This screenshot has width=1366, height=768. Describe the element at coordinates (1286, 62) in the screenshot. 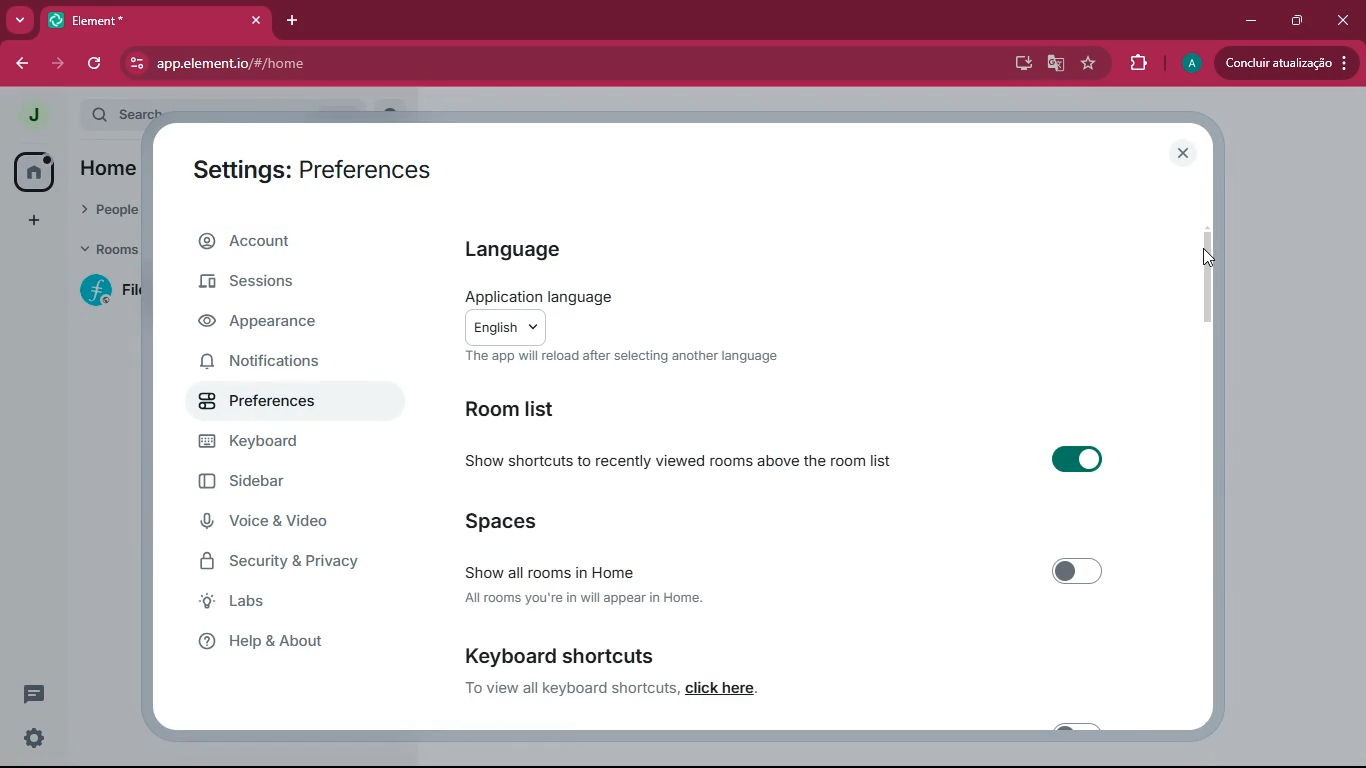

I see `concluir atualizacao` at that location.